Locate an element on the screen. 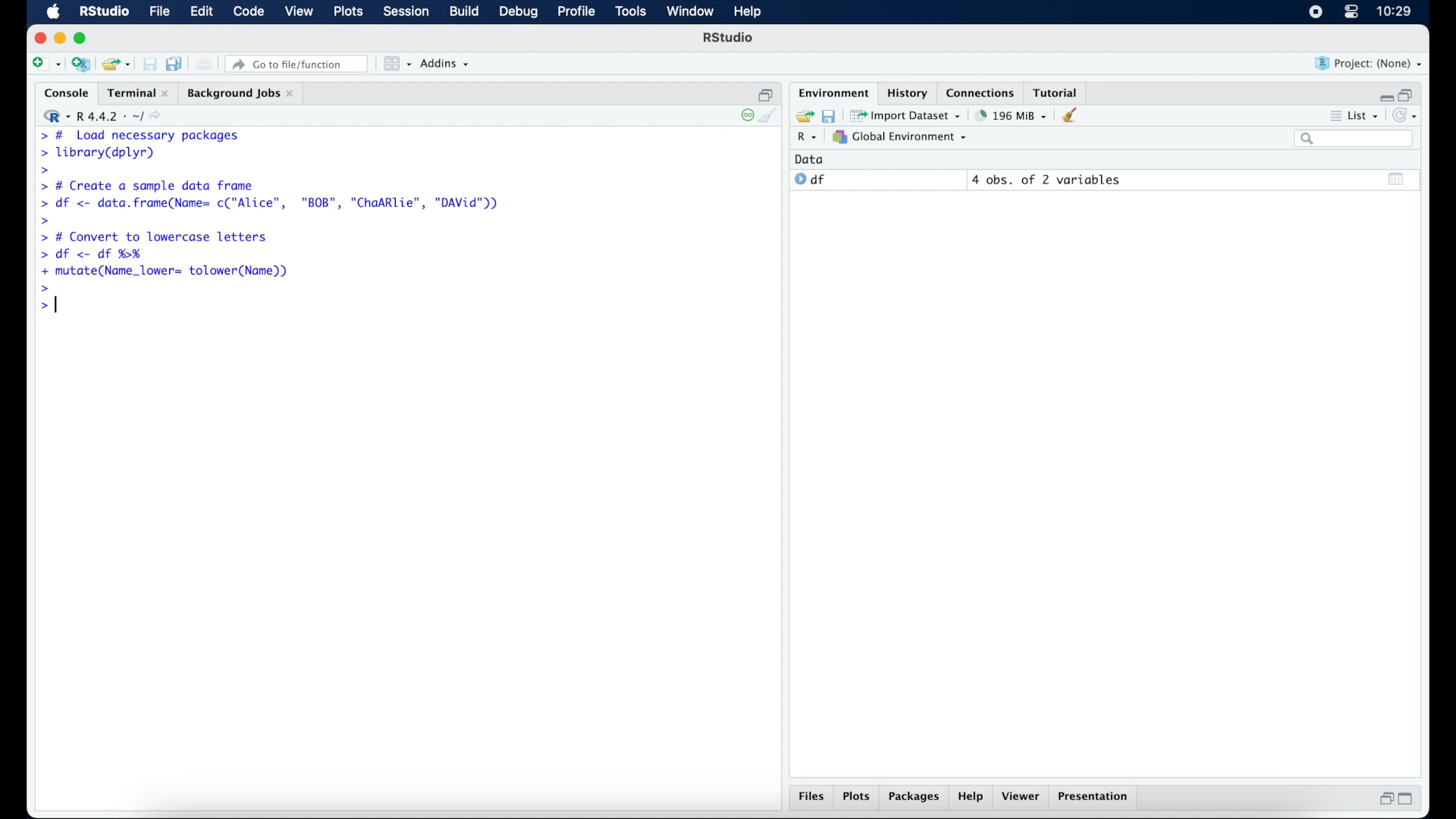 The width and height of the screenshot is (1456, 819). + mutate(Name_lower= tolower(Name))| is located at coordinates (168, 271).